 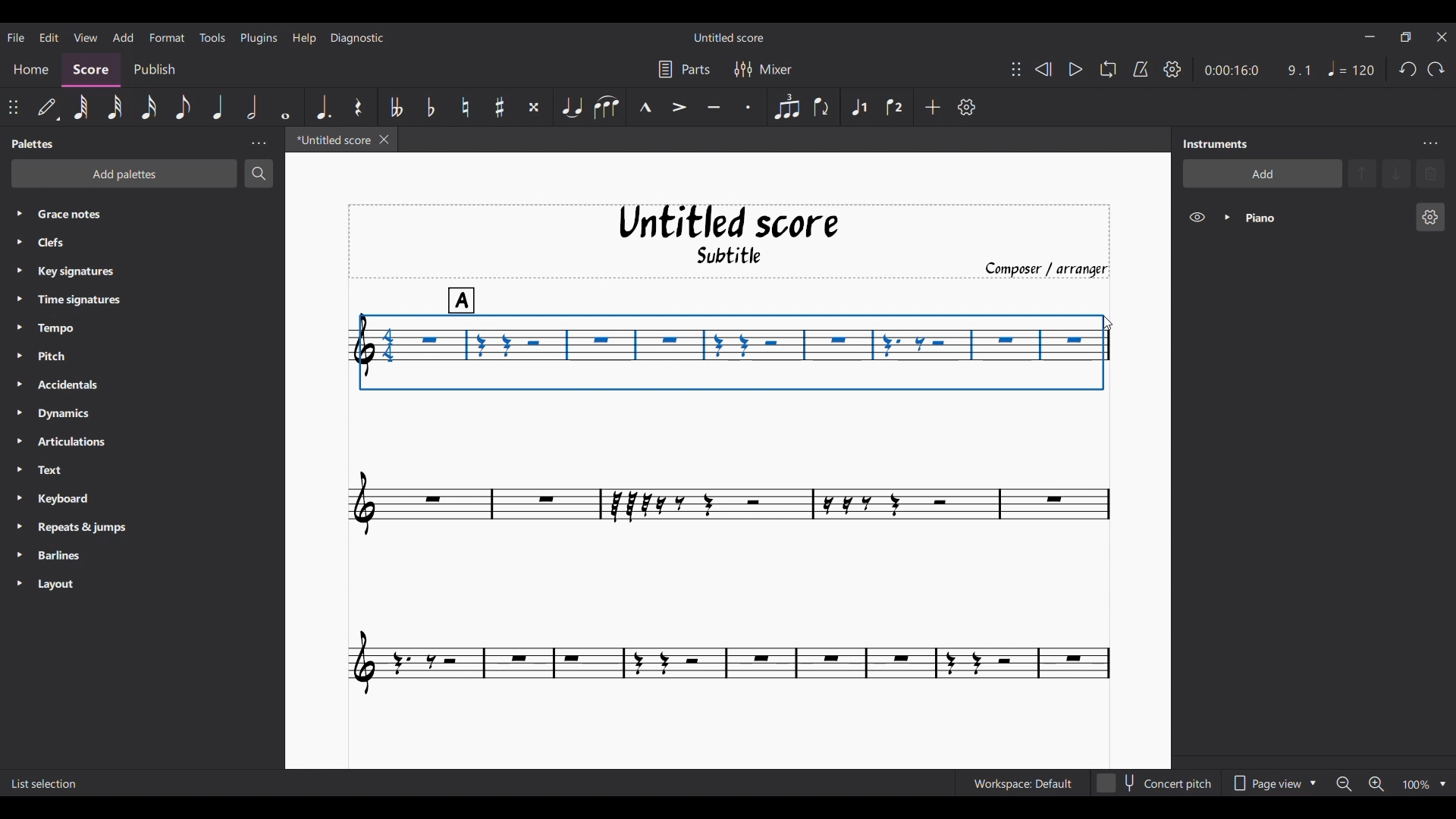 I want to click on Text, so click(x=80, y=471).